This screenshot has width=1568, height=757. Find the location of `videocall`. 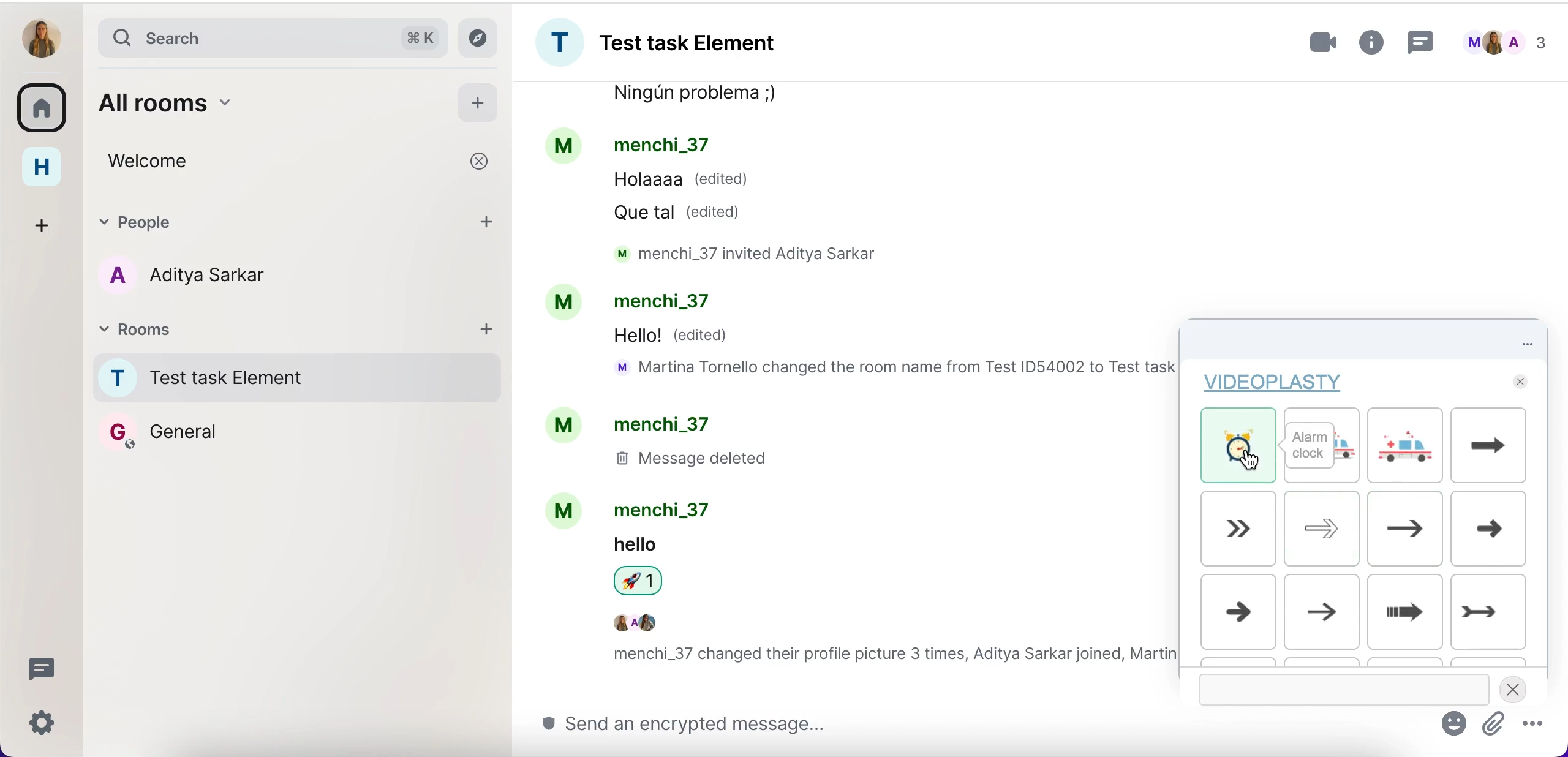

videocall is located at coordinates (1323, 43).